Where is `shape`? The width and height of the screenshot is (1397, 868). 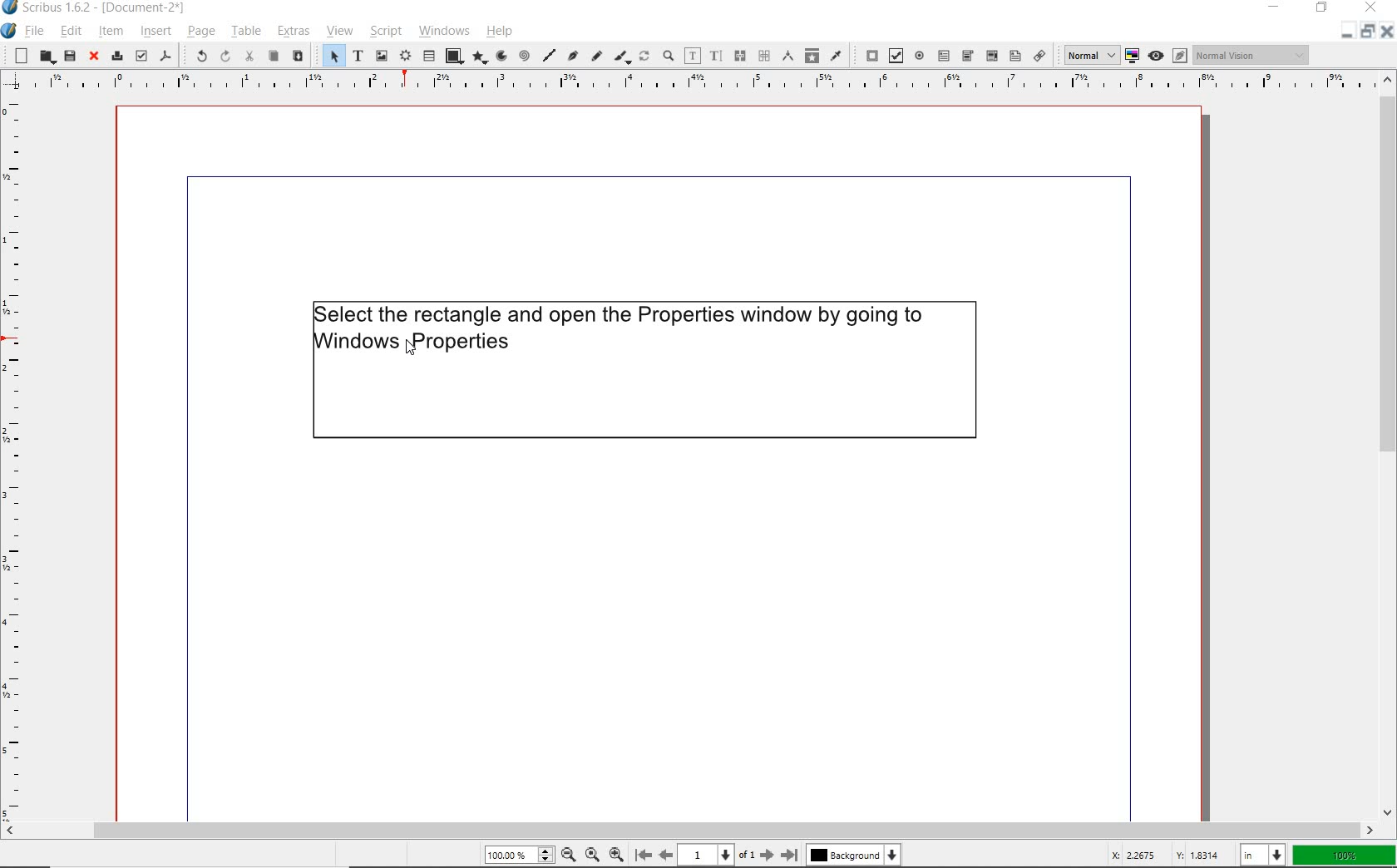
shape is located at coordinates (454, 55).